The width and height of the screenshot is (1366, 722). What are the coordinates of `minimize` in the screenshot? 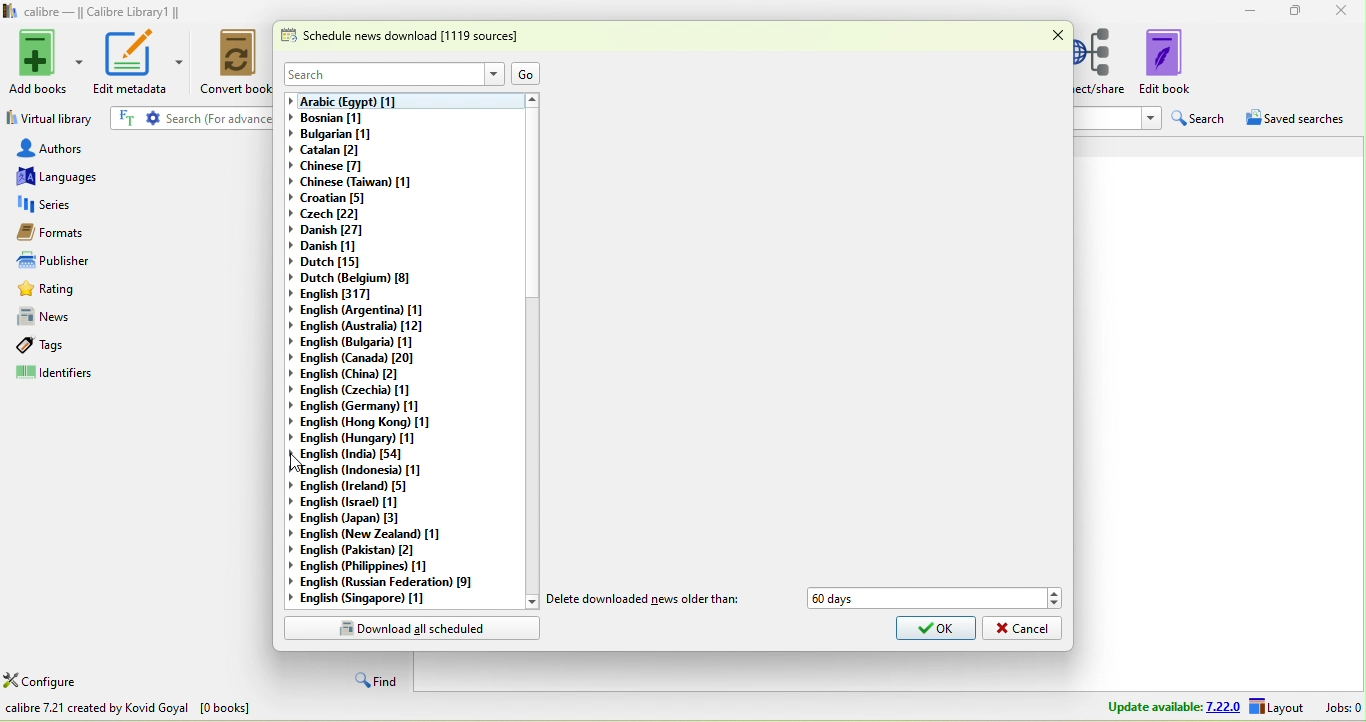 It's located at (1254, 11).